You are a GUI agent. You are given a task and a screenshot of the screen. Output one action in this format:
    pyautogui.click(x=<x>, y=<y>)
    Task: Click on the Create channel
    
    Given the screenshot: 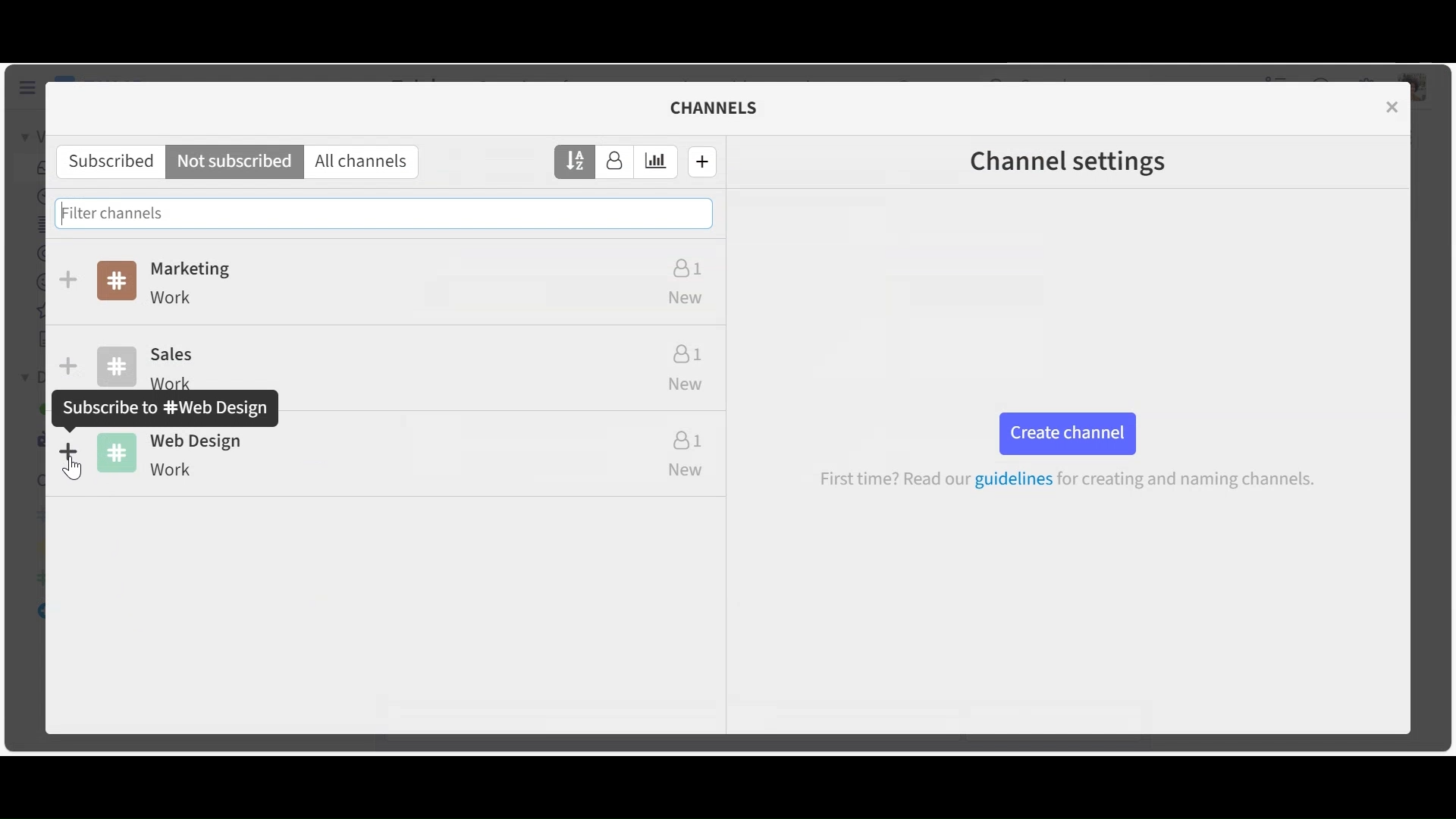 What is the action you would take?
    pyautogui.click(x=1068, y=434)
    